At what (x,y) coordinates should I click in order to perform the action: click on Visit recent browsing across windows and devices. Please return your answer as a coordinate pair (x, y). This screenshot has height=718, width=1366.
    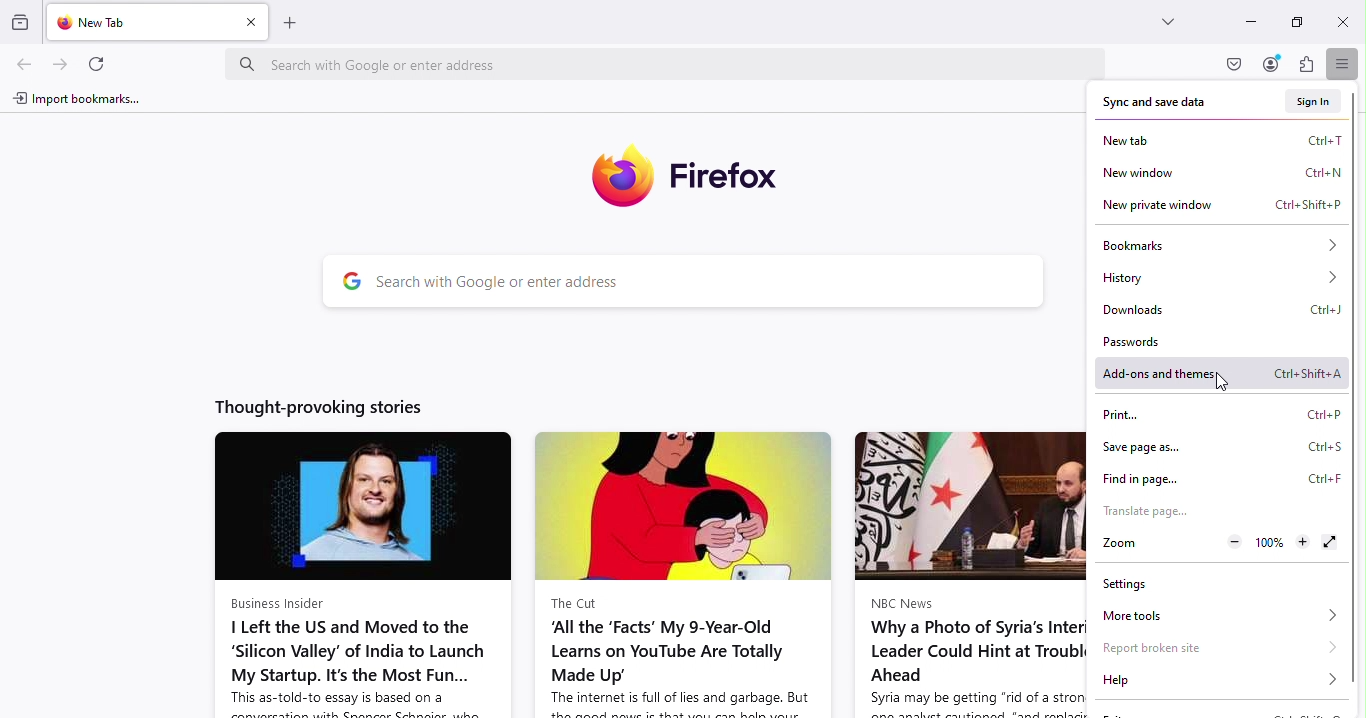
    Looking at the image, I should click on (24, 18).